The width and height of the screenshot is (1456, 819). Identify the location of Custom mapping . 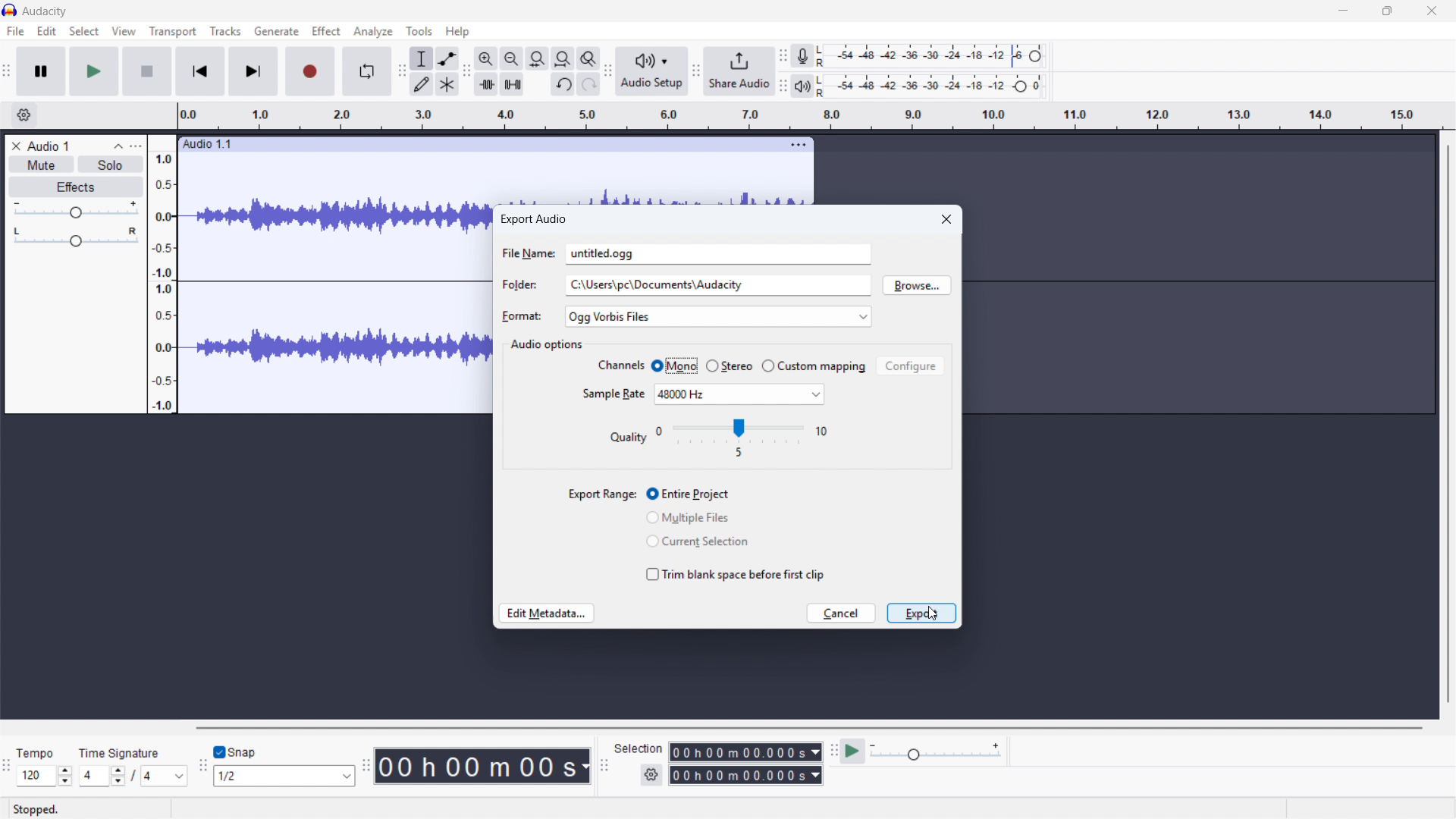
(814, 366).